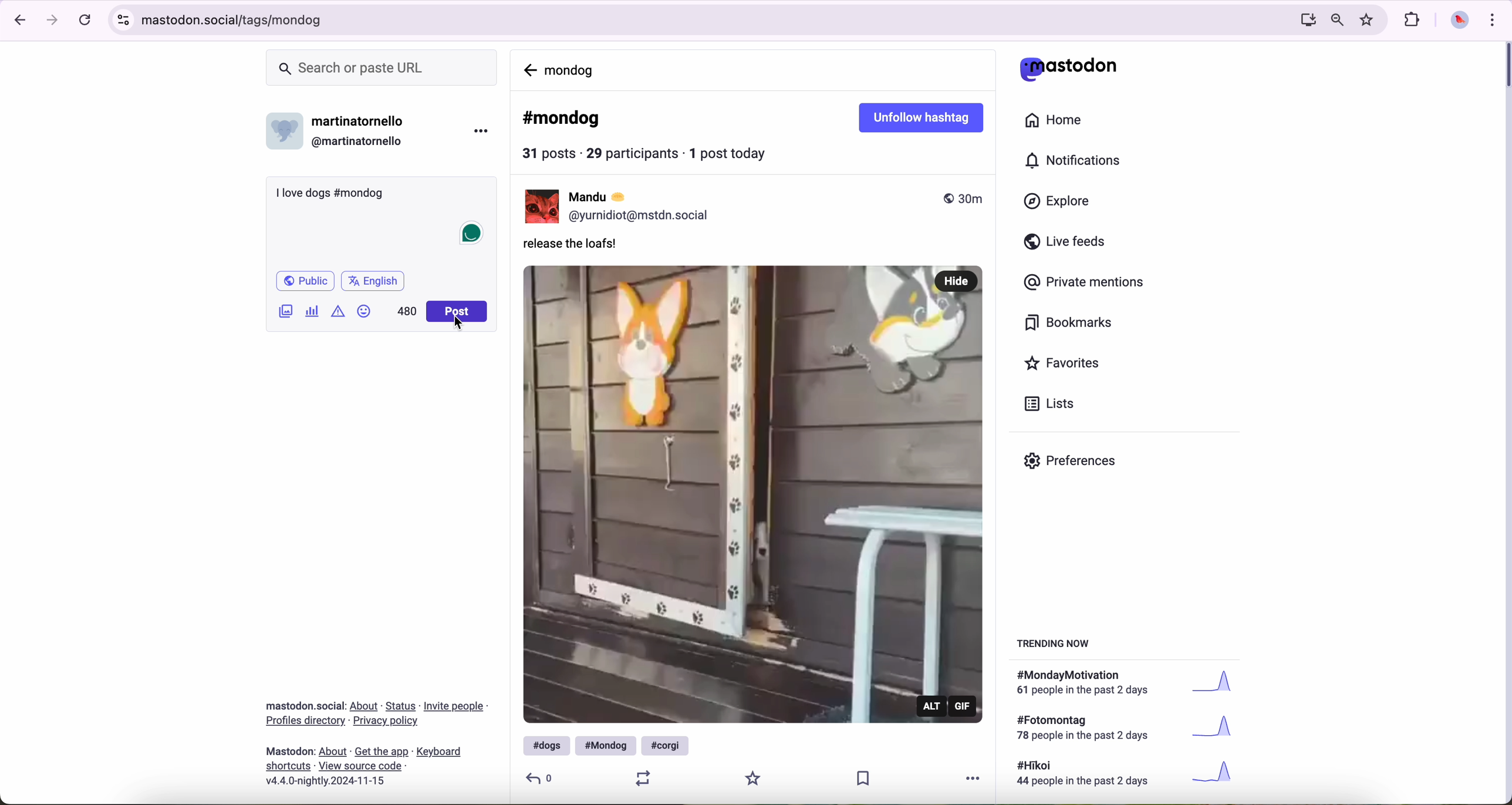 The height and width of the screenshot is (805, 1512). Describe the element at coordinates (551, 155) in the screenshot. I see `31 posts` at that location.